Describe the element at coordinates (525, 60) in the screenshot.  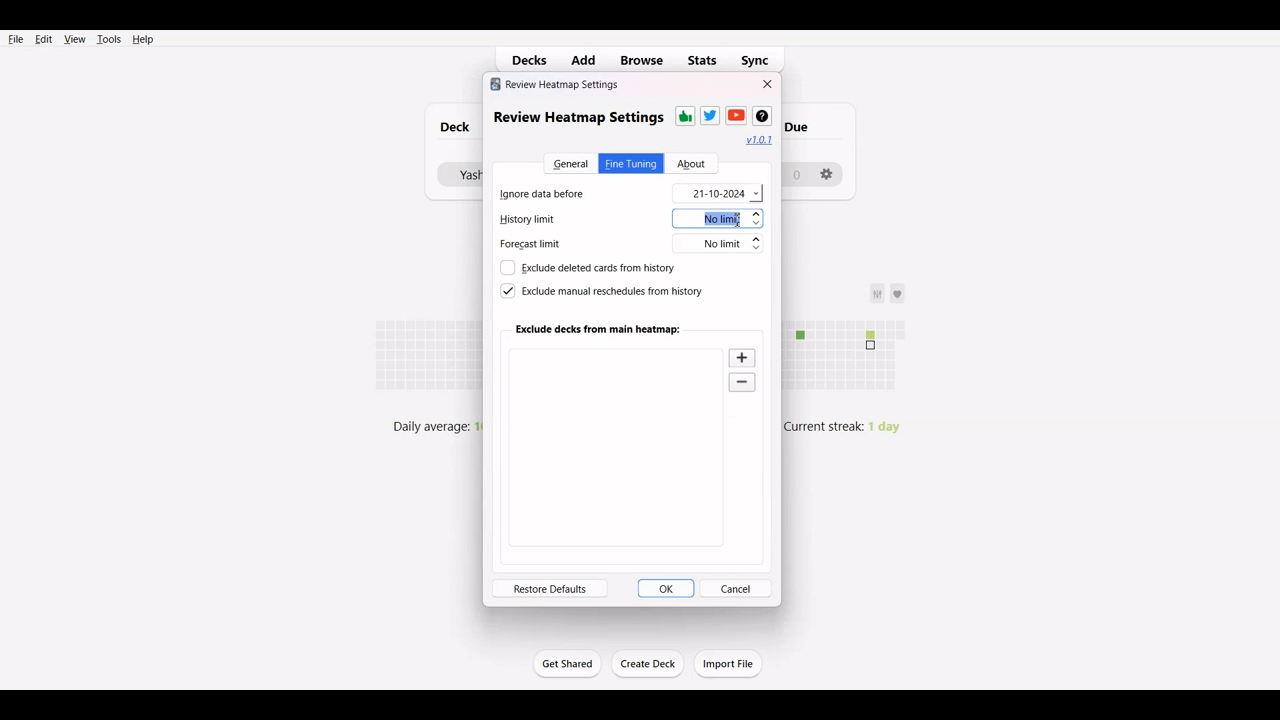
I see `Decks` at that location.